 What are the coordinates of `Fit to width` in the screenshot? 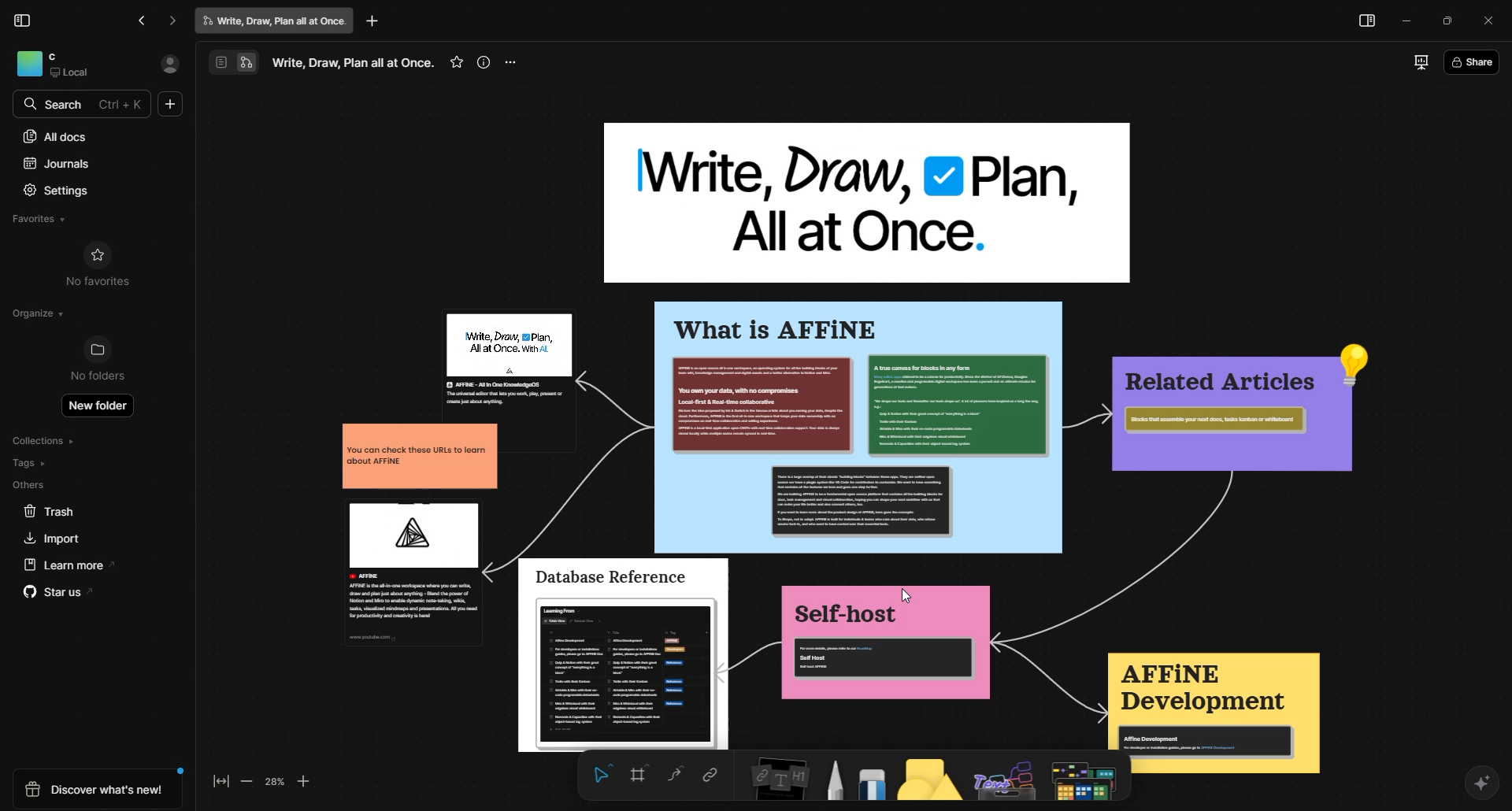 It's located at (217, 783).